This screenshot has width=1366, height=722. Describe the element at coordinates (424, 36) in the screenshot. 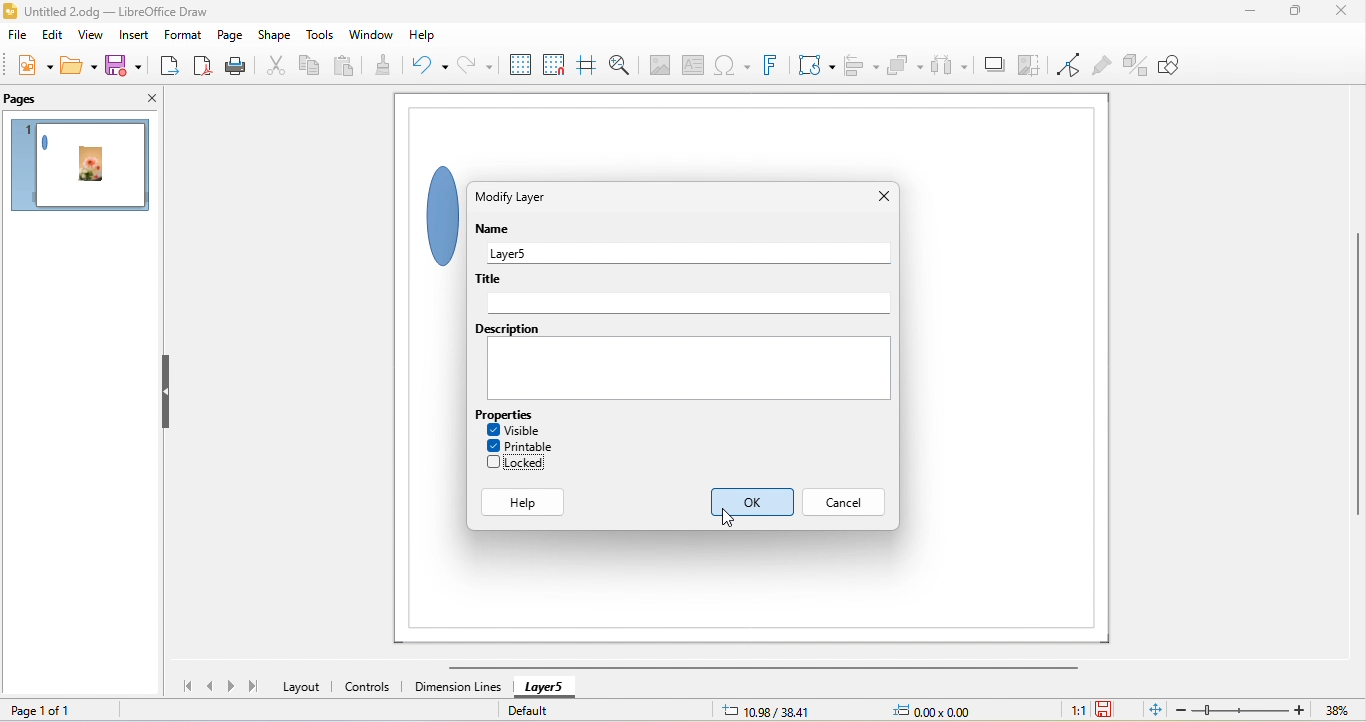

I see `help` at that location.